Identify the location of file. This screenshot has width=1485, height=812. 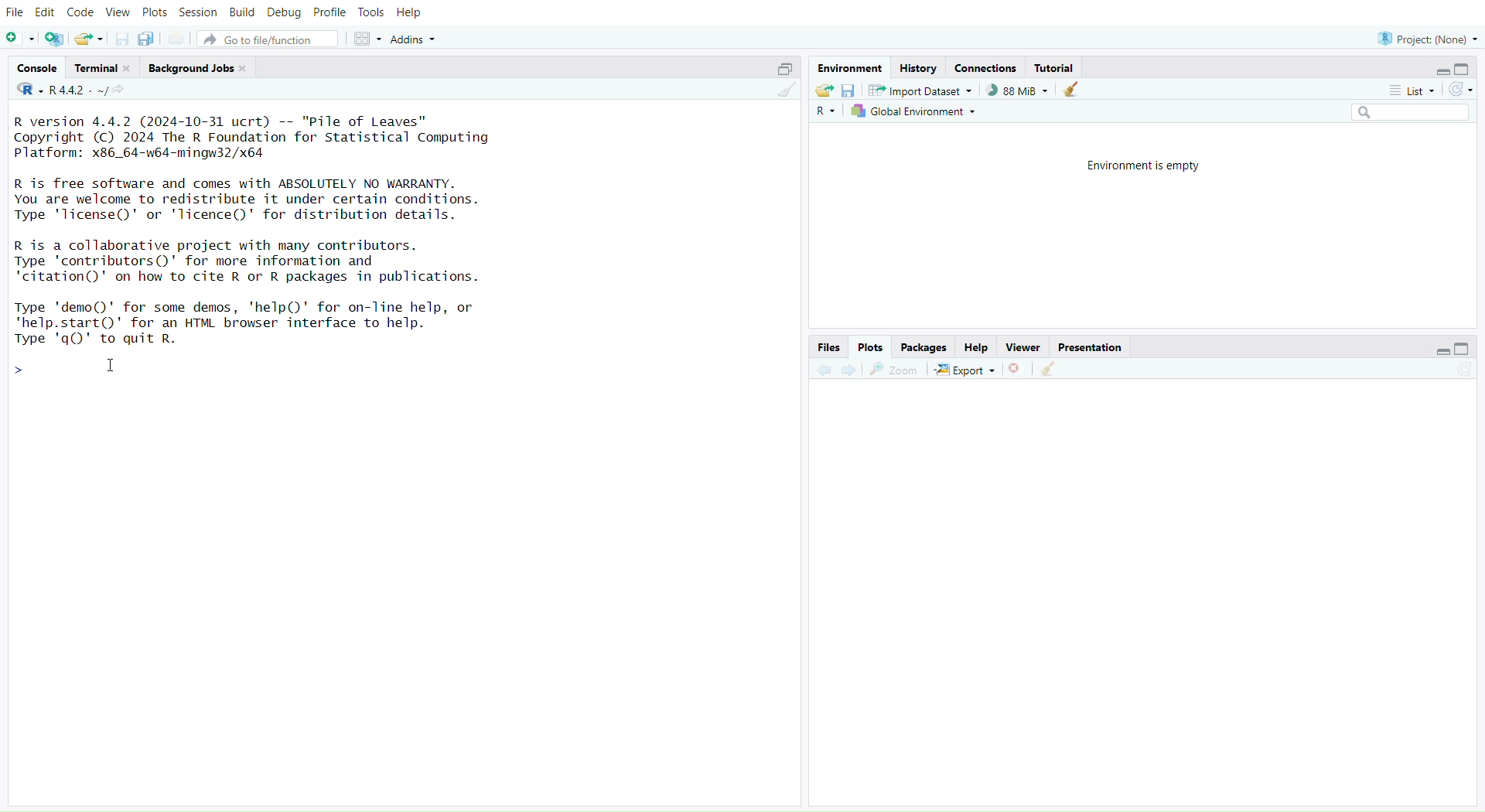
(18, 12).